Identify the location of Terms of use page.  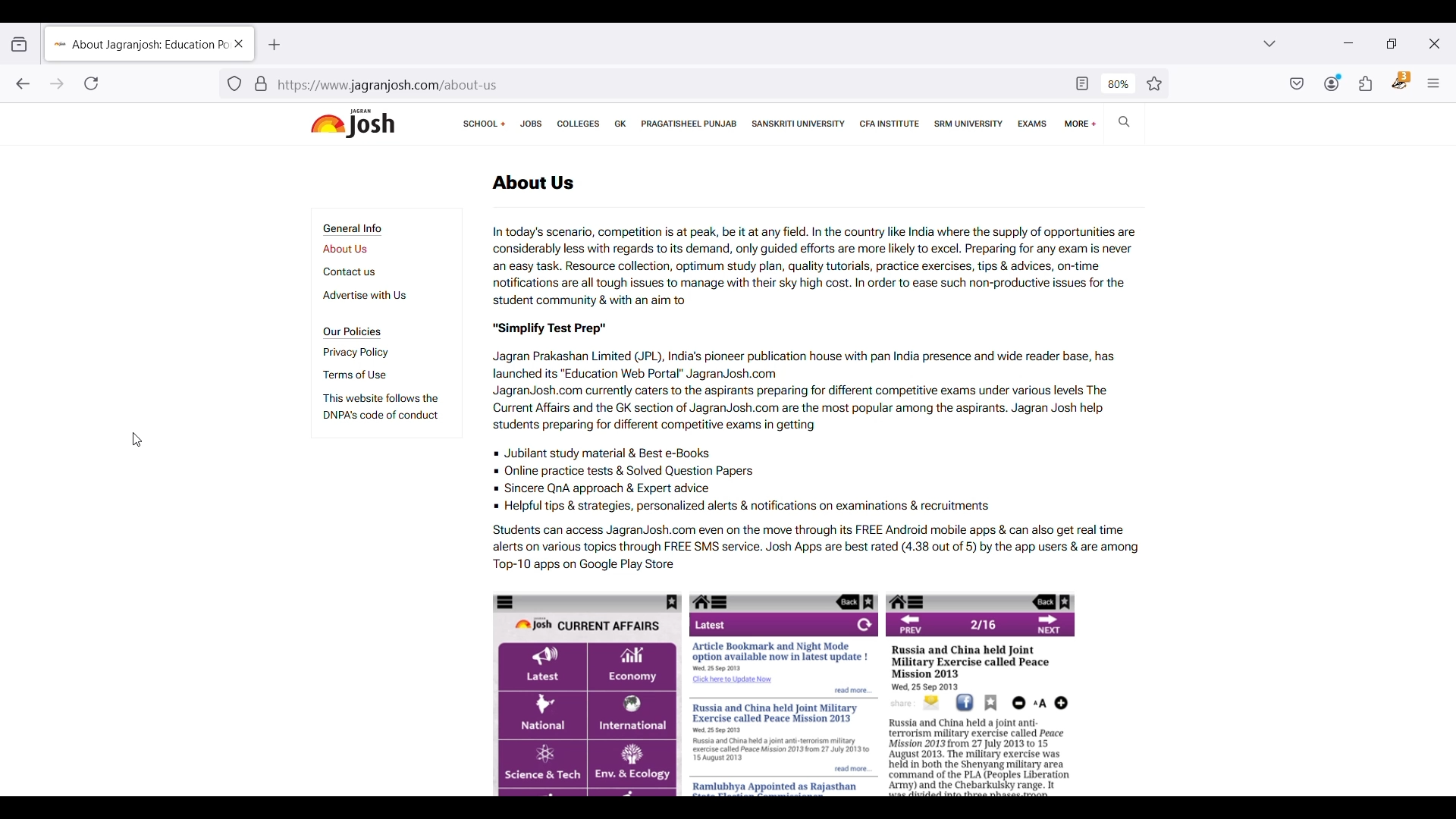
(355, 375).